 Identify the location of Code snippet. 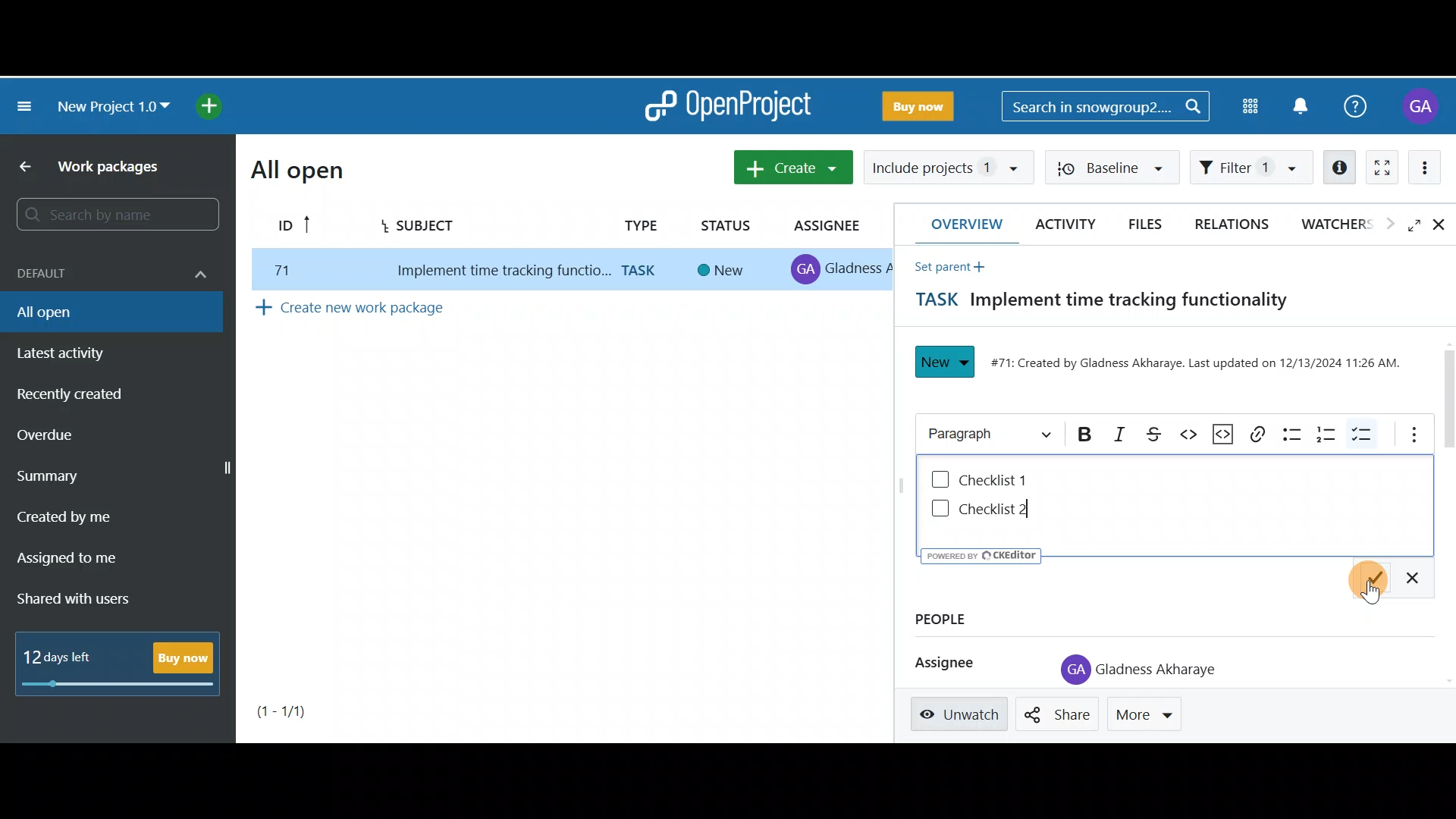
(1227, 432).